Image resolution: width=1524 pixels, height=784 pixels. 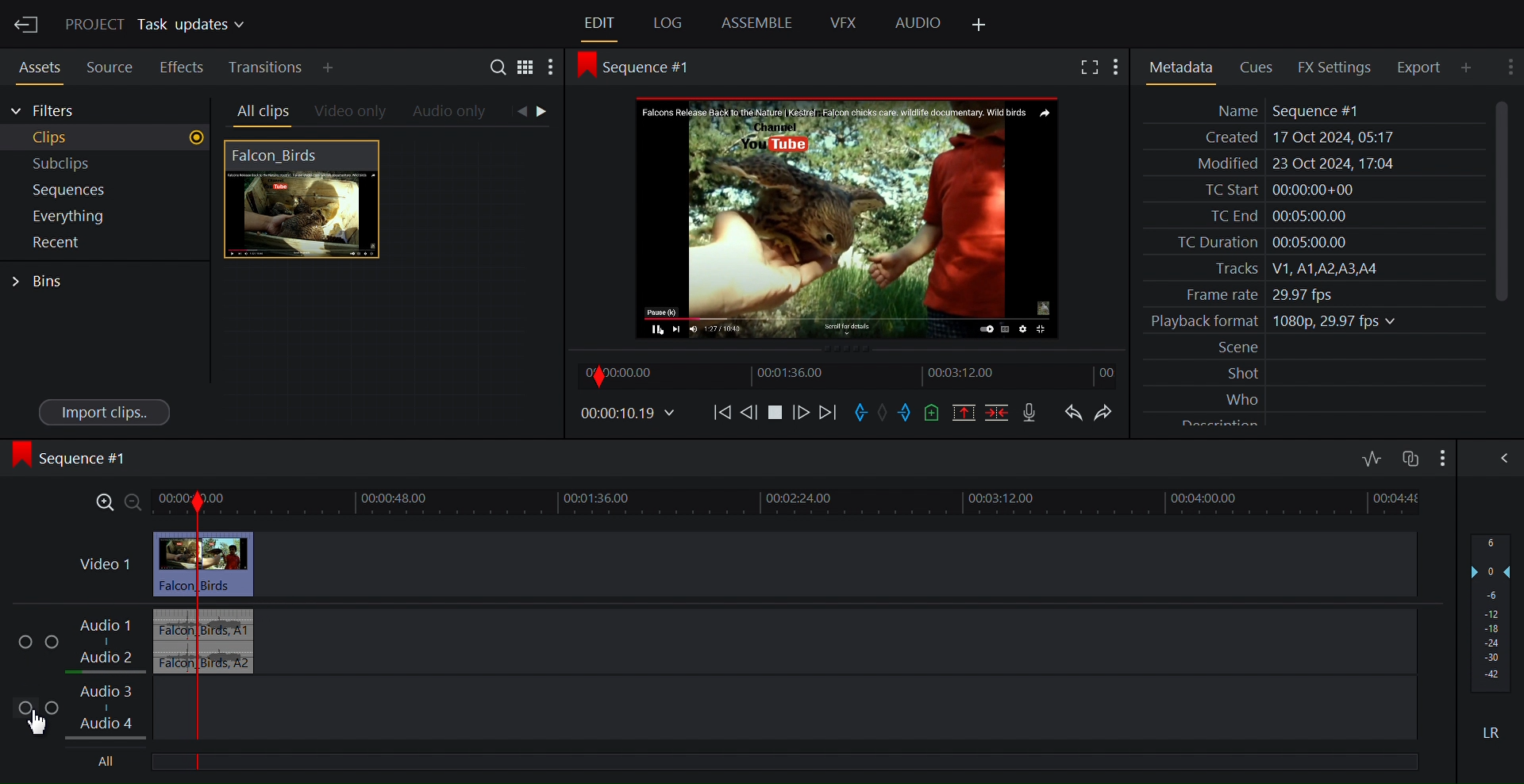 I want to click on VFX, so click(x=845, y=22).